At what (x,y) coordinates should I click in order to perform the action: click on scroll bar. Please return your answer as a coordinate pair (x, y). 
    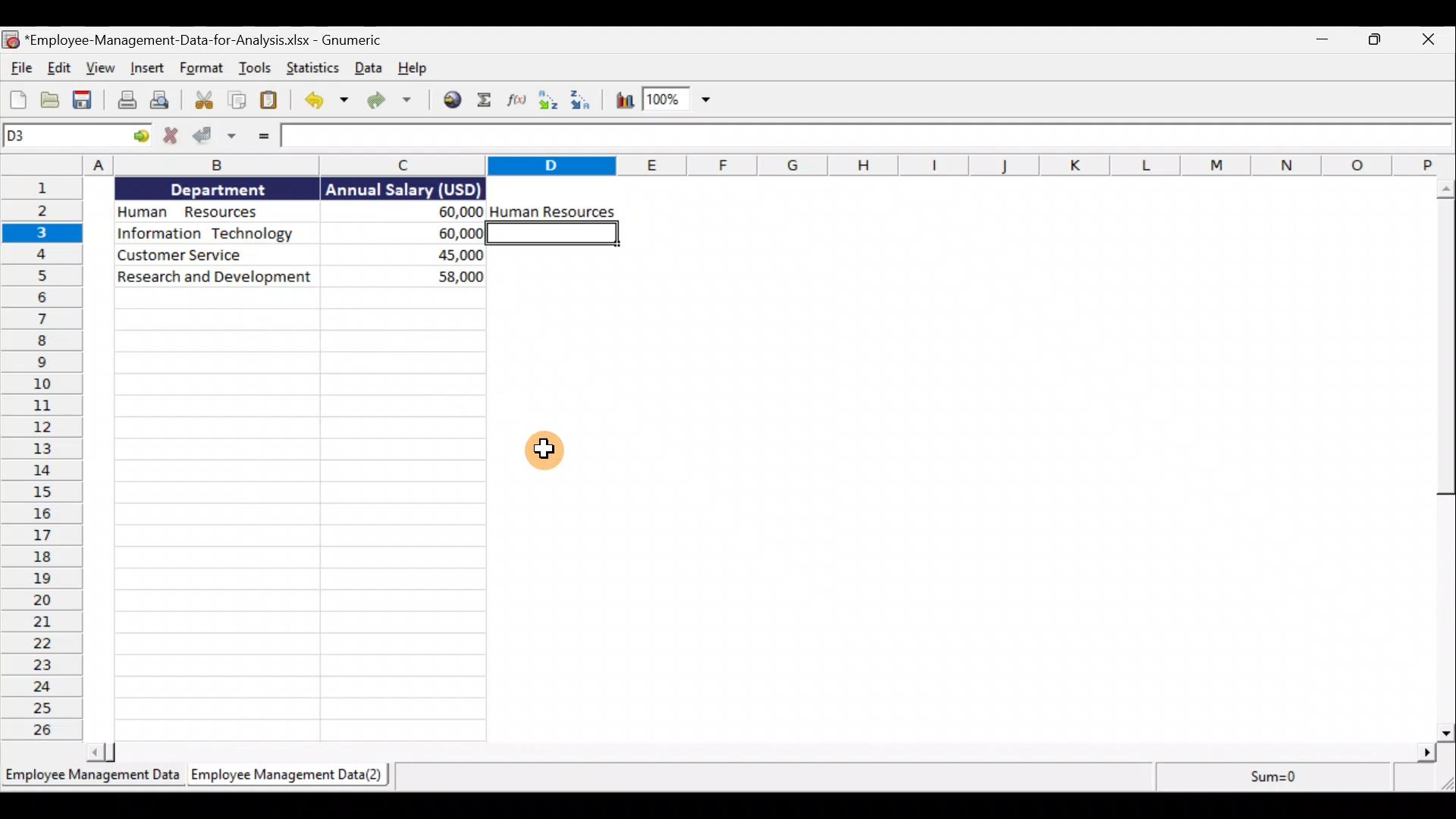
    Looking at the image, I should click on (1443, 461).